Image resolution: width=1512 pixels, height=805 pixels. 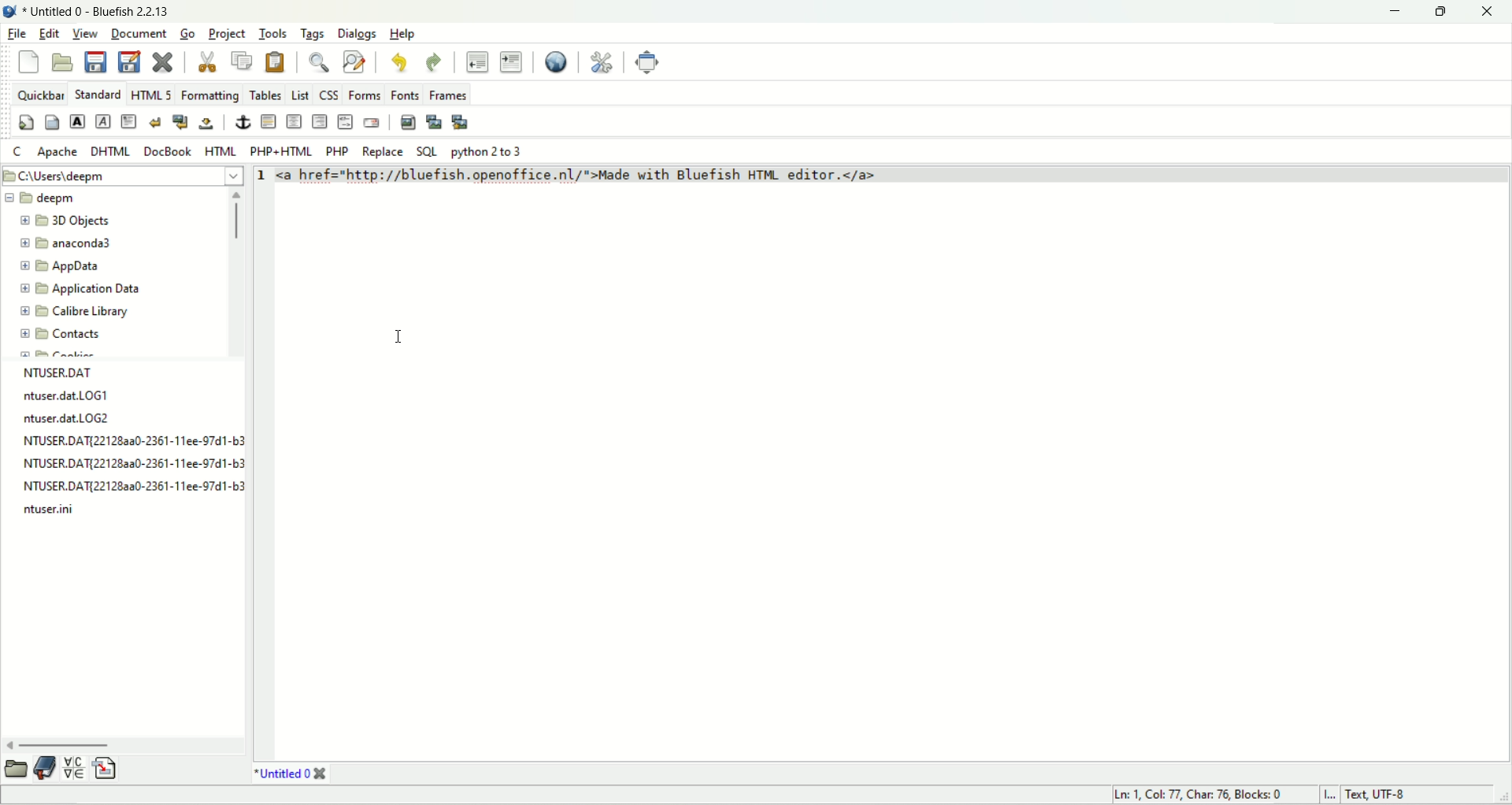 I want to click on 3D object, so click(x=65, y=221).